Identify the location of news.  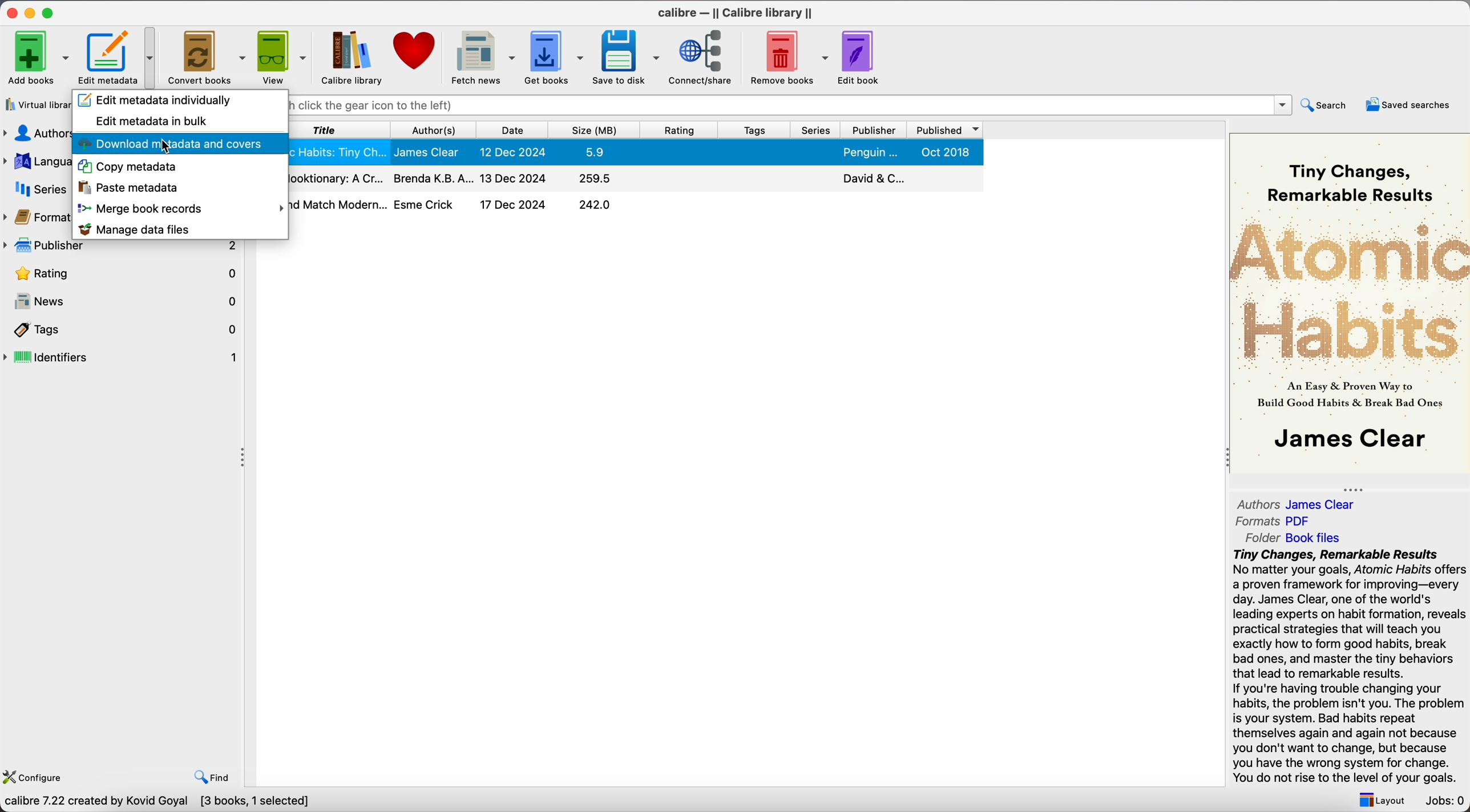
(124, 300).